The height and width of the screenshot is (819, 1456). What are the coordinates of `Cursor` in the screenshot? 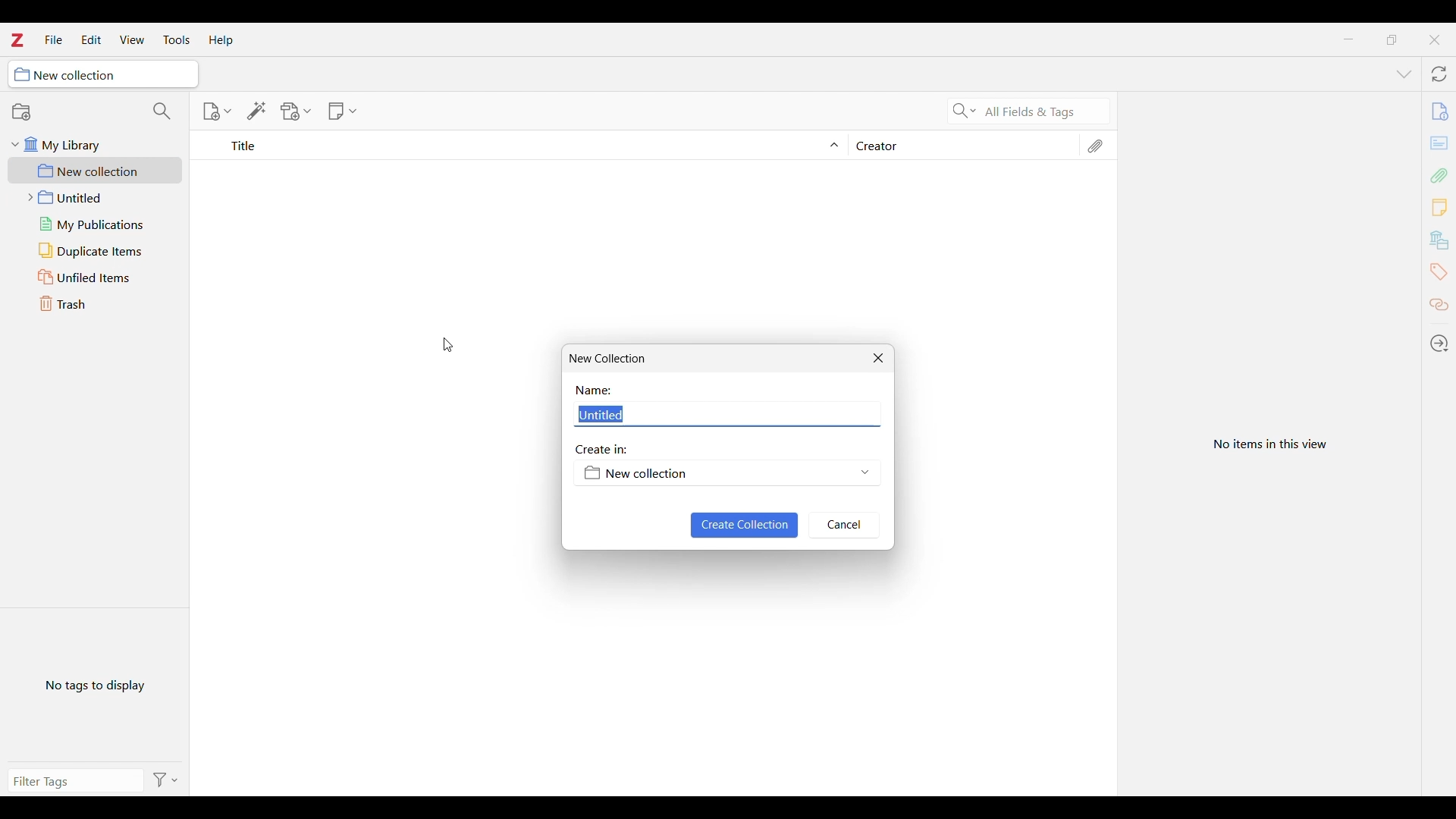 It's located at (448, 345).